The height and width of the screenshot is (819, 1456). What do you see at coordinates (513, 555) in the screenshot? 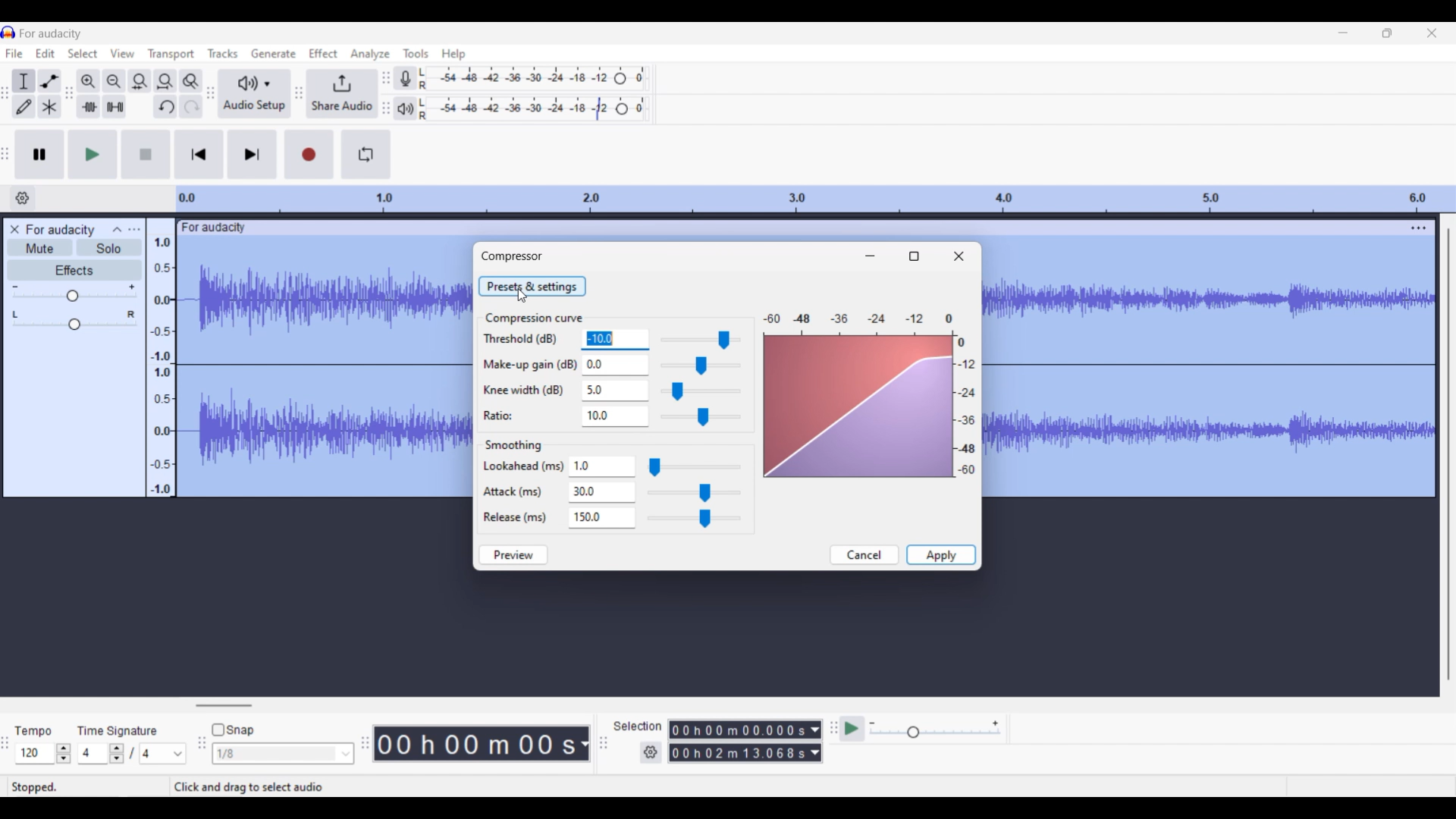
I see `Preview` at bounding box center [513, 555].